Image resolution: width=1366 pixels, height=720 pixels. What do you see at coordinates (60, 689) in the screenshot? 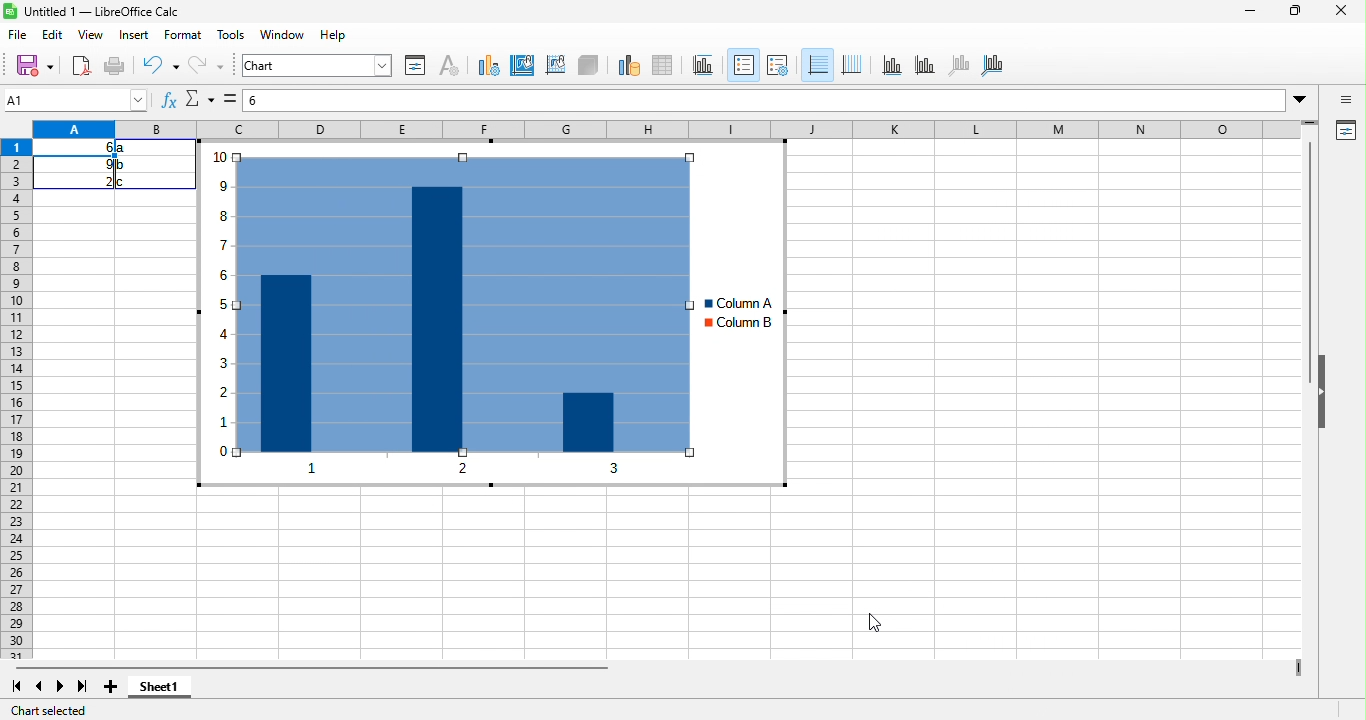
I see `next` at bounding box center [60, 689].